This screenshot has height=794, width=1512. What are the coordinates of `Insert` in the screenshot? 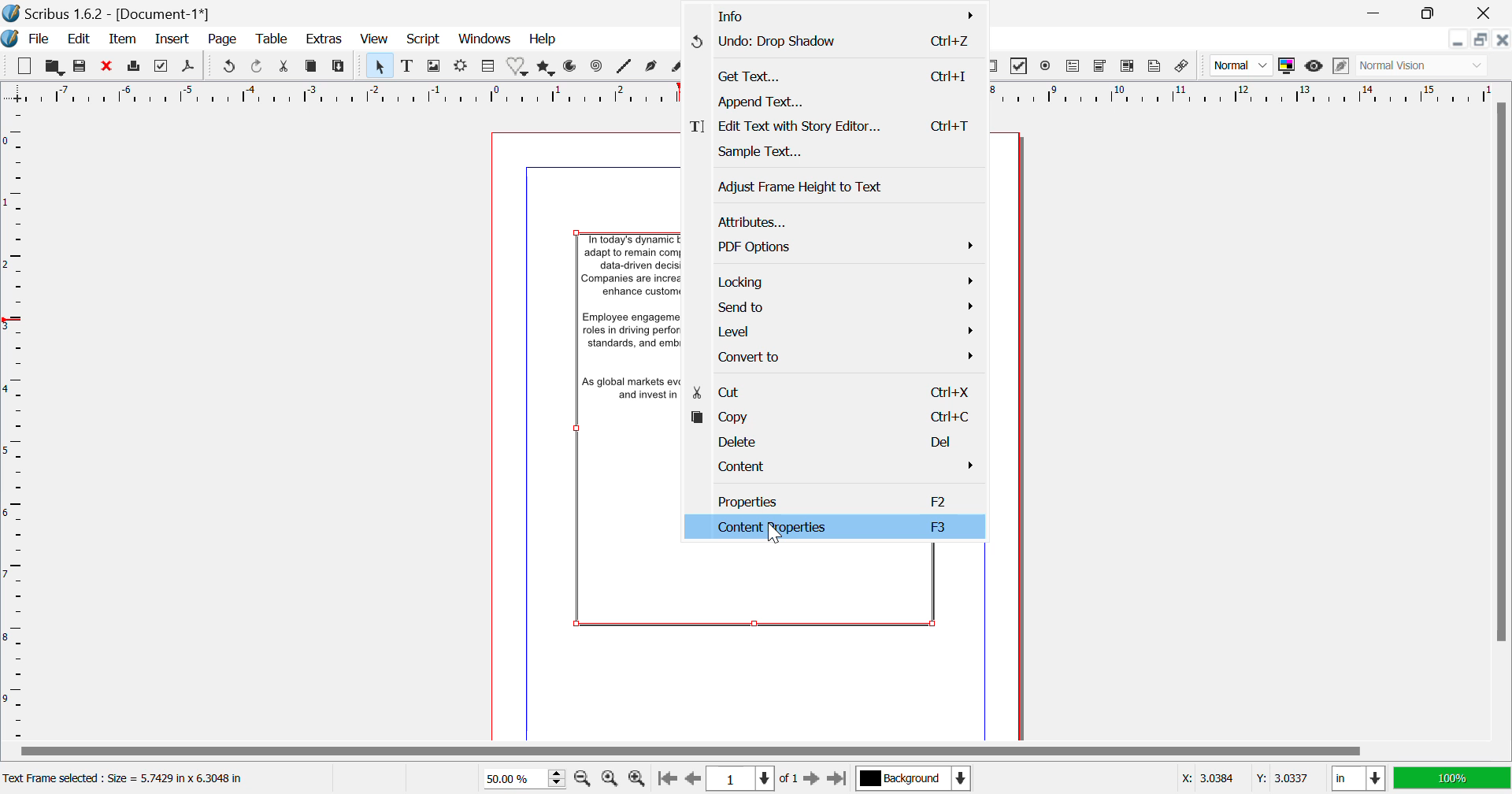 It's located at (174, 39).